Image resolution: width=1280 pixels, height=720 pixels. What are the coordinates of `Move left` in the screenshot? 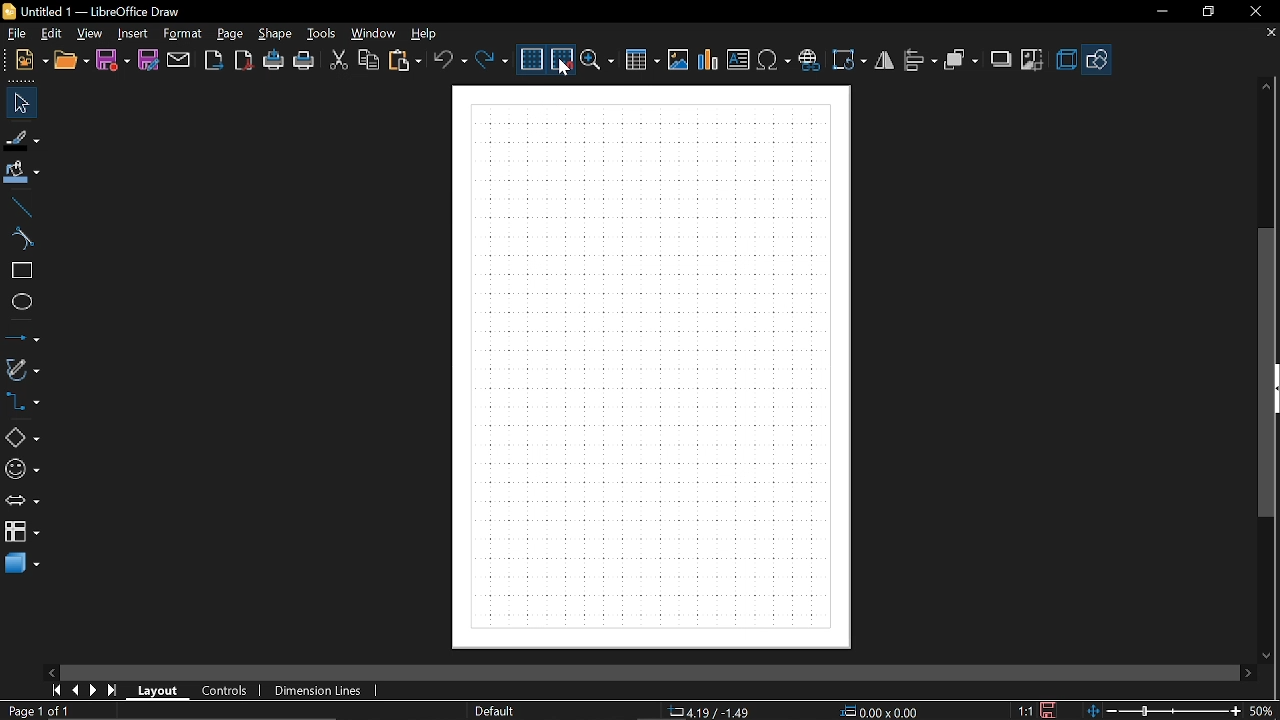 It's located at (50, 670).